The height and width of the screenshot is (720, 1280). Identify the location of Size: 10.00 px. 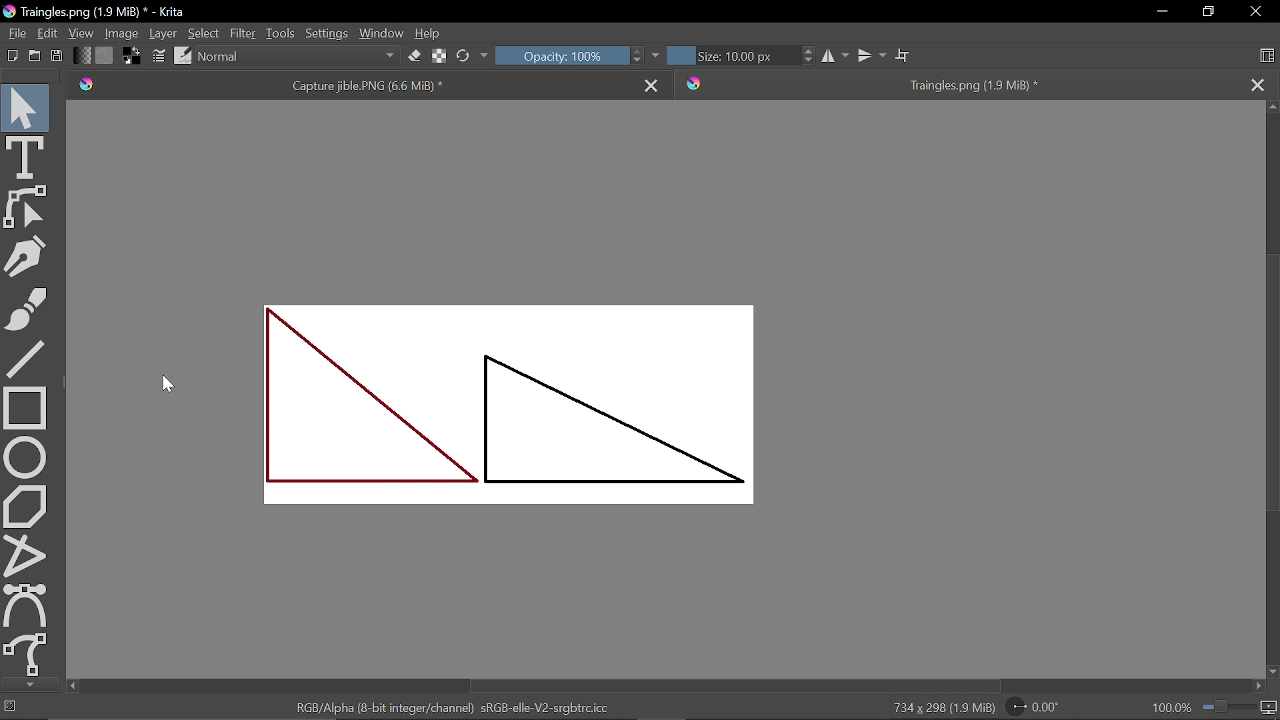
(729, 56).